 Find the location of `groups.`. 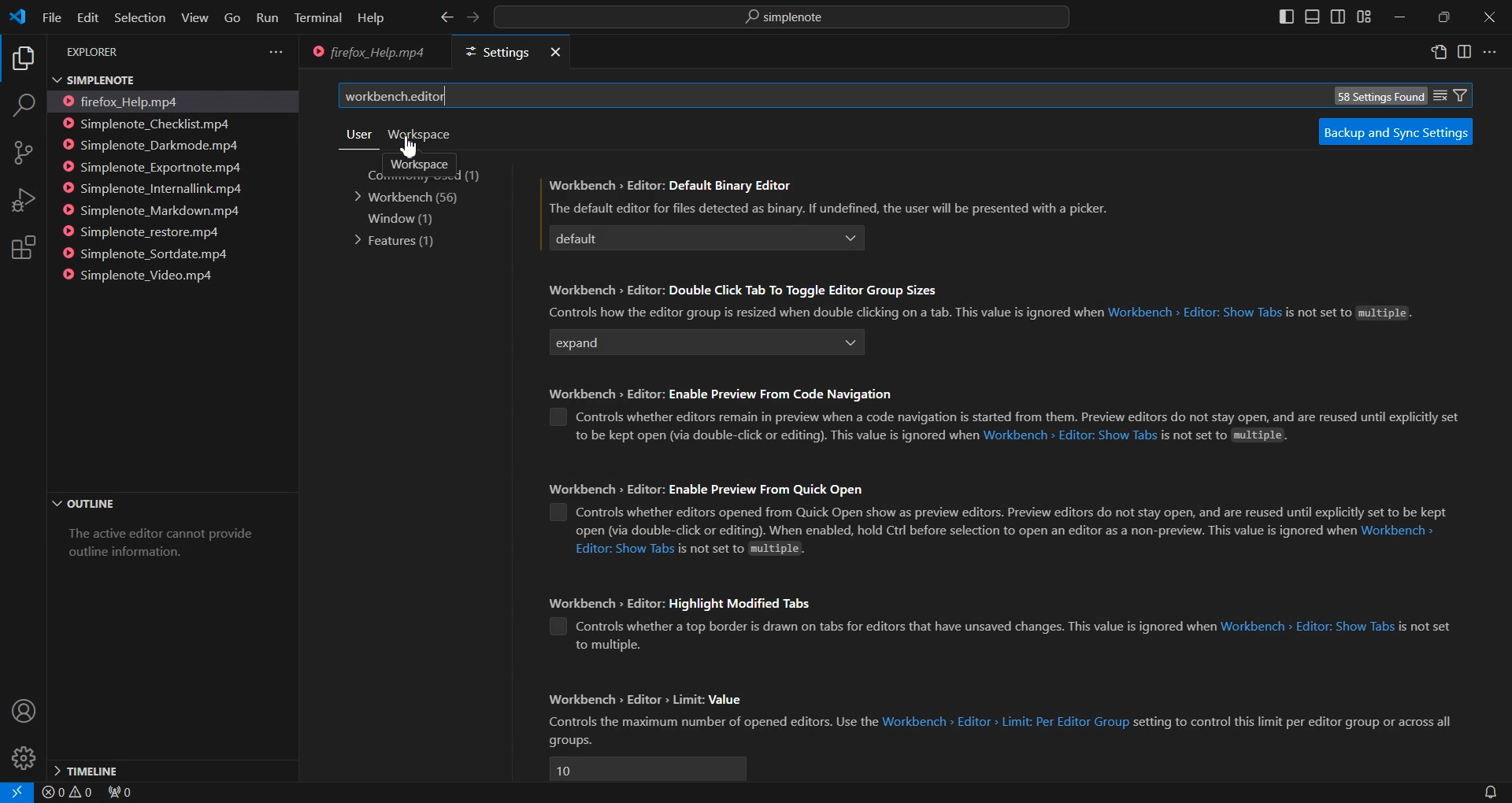

groups. is located at coordinates (569, 741).